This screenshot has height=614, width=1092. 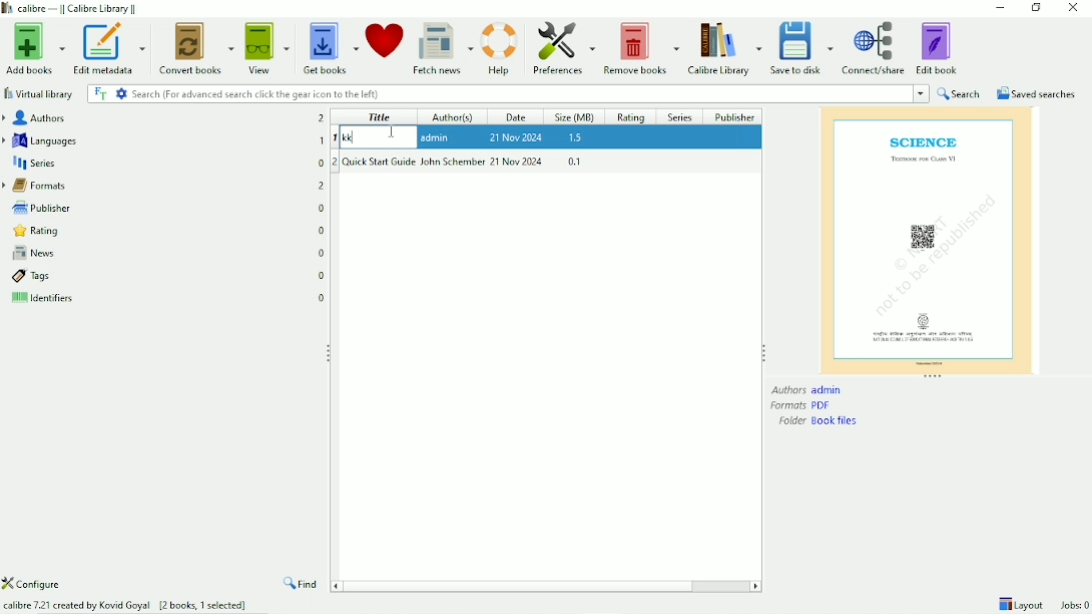 I want to click on Saved searches, so click(x=1035, y=93).